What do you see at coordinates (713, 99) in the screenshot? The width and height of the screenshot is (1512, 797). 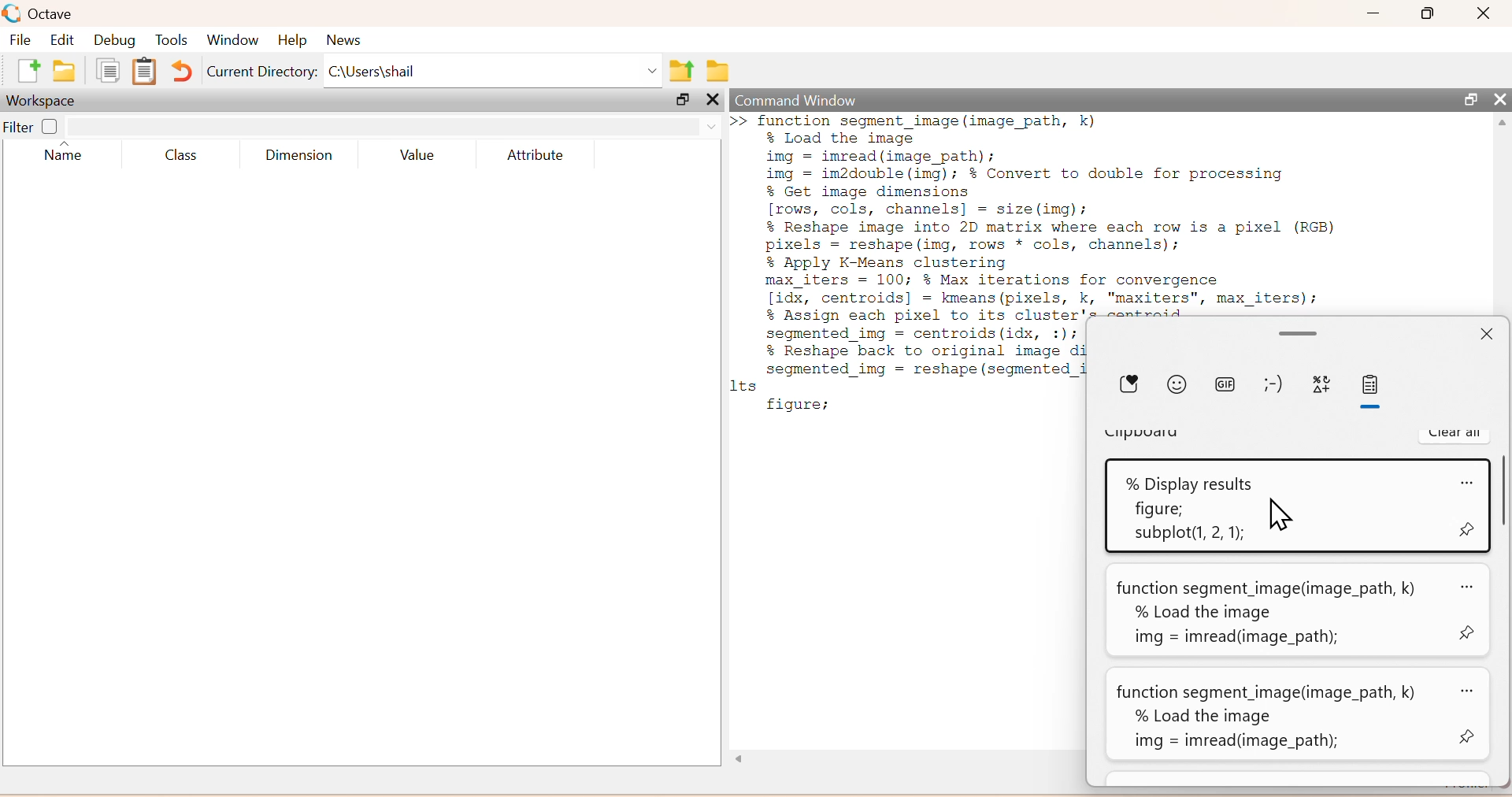 I see `` at bounding box center [713, 99].